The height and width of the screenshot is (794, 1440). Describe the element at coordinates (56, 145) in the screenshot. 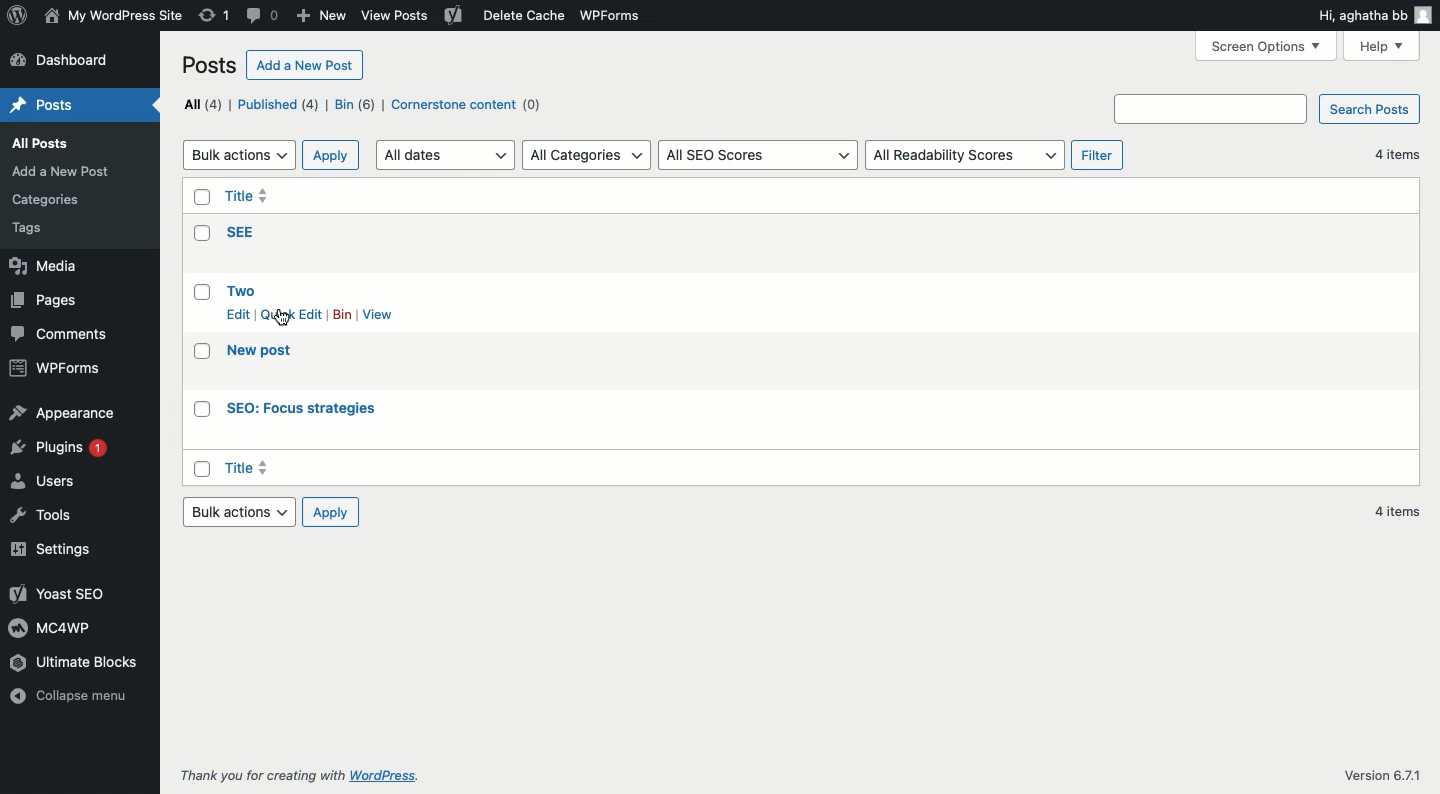

I see `All posts` at that location.